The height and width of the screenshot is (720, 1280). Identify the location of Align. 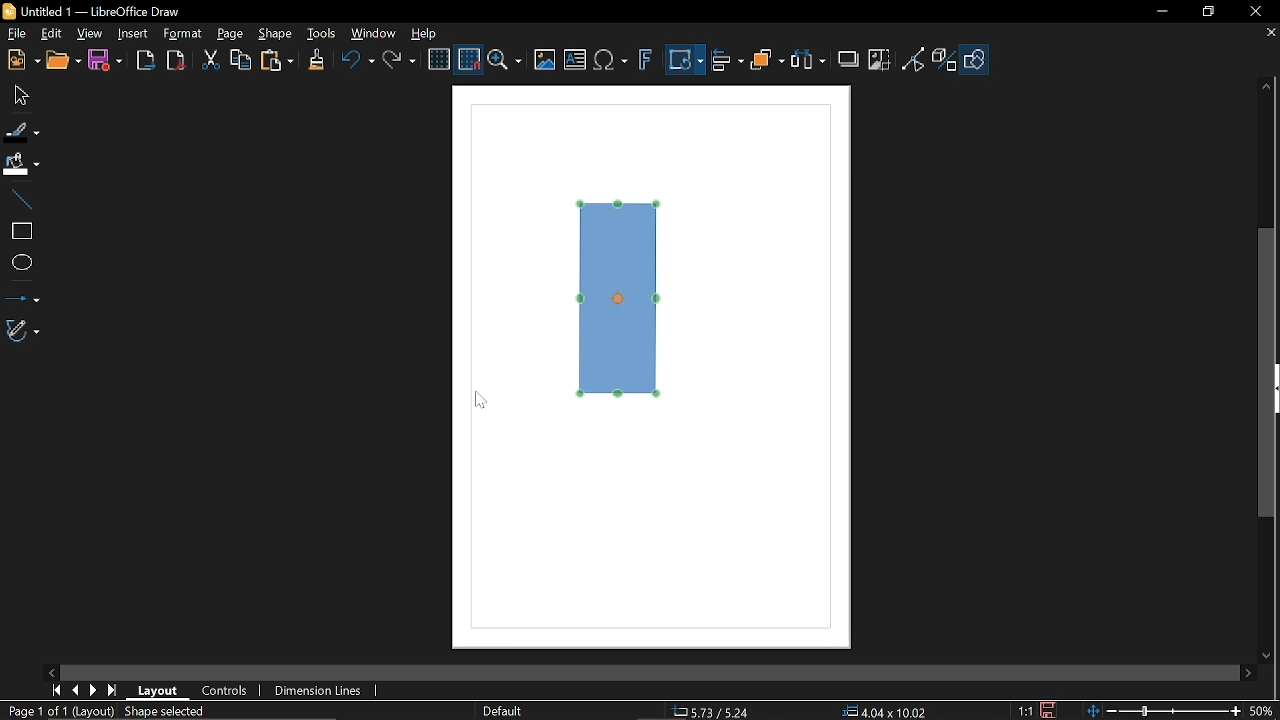
(728, 63).